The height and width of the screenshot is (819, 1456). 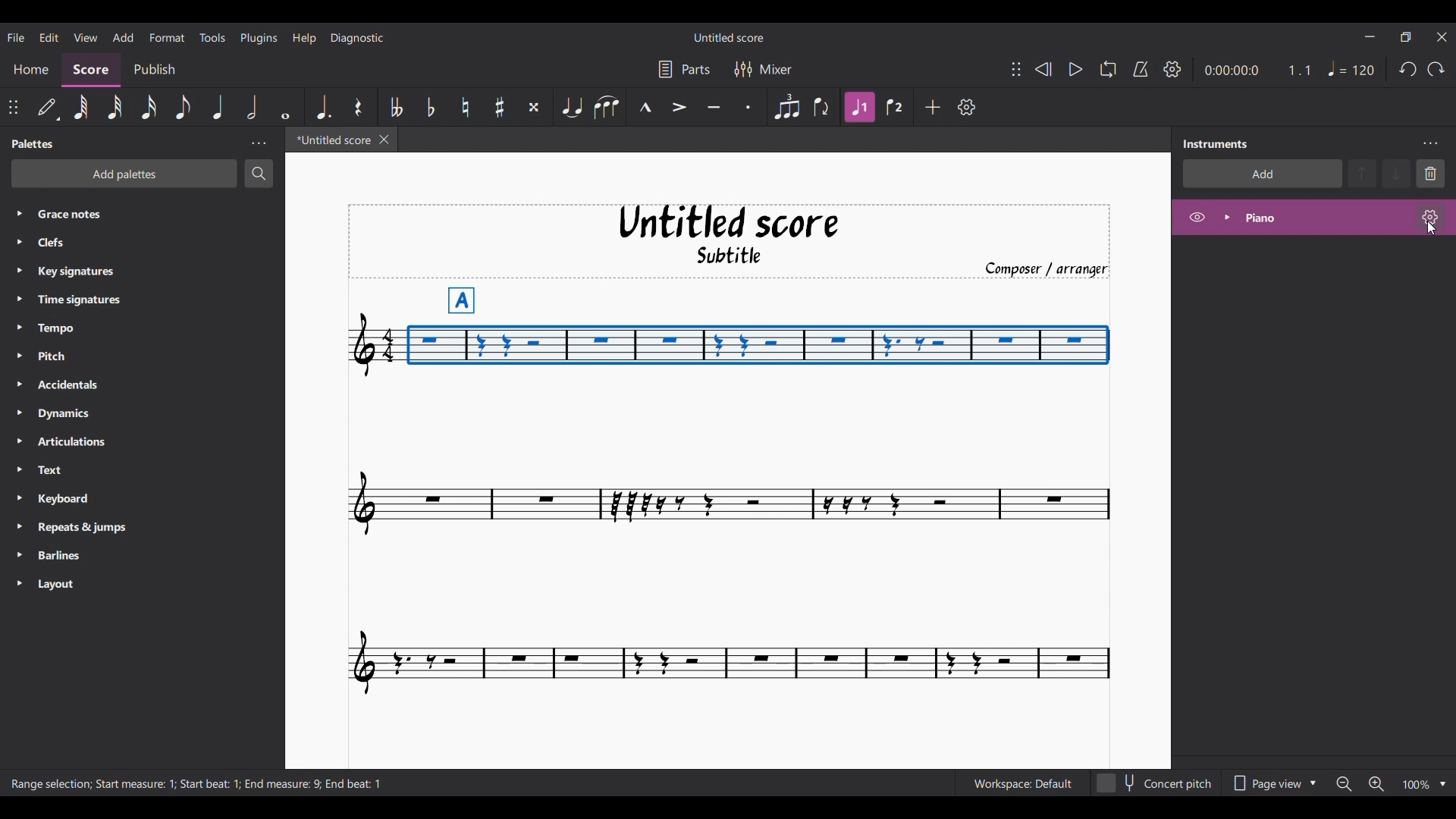 What do you see at coordinates (1022, 783) in the screenshot?
I see `Current workspace settings` at bounding box center [1022, 783].